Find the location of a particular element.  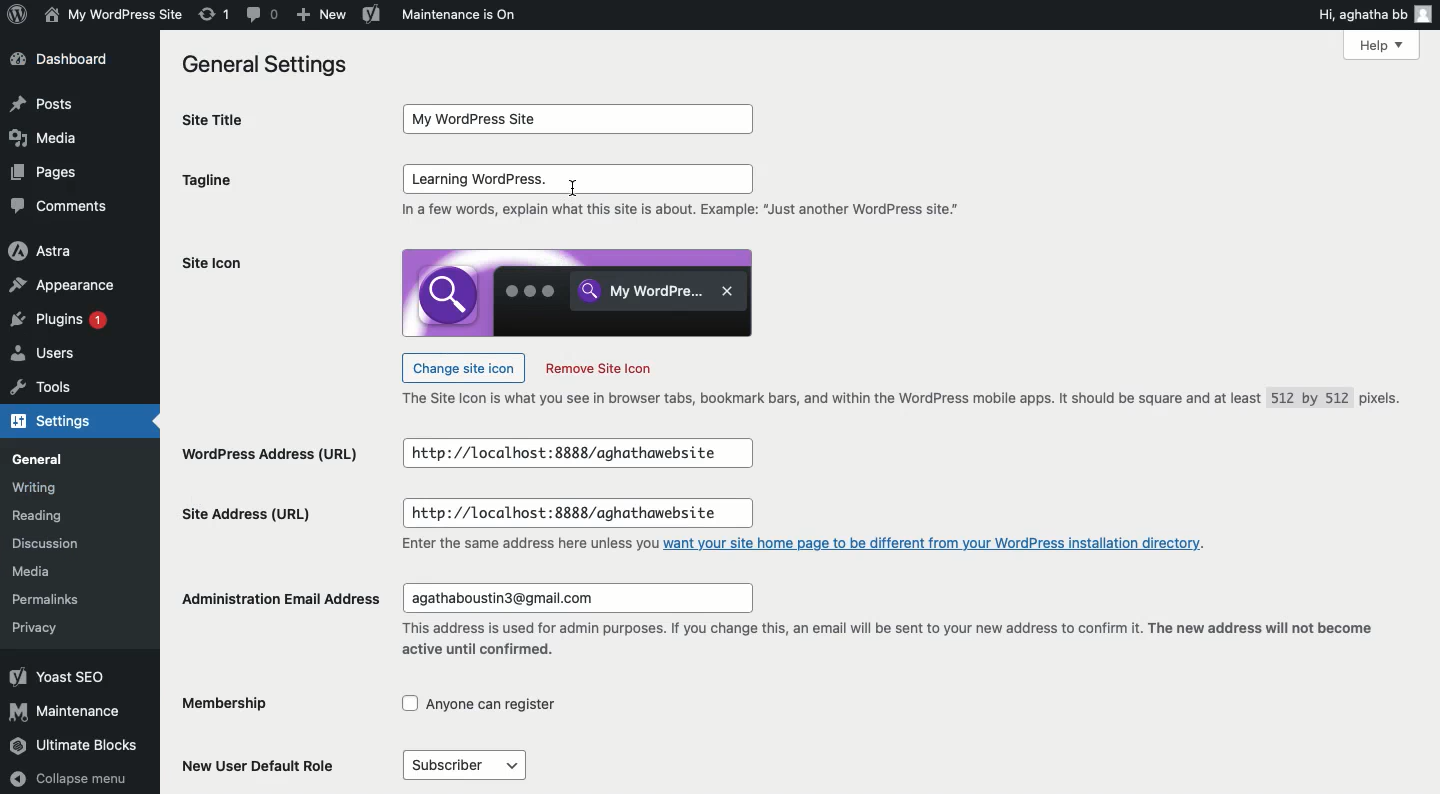

Dashboard is located at coordinates (67, 61).